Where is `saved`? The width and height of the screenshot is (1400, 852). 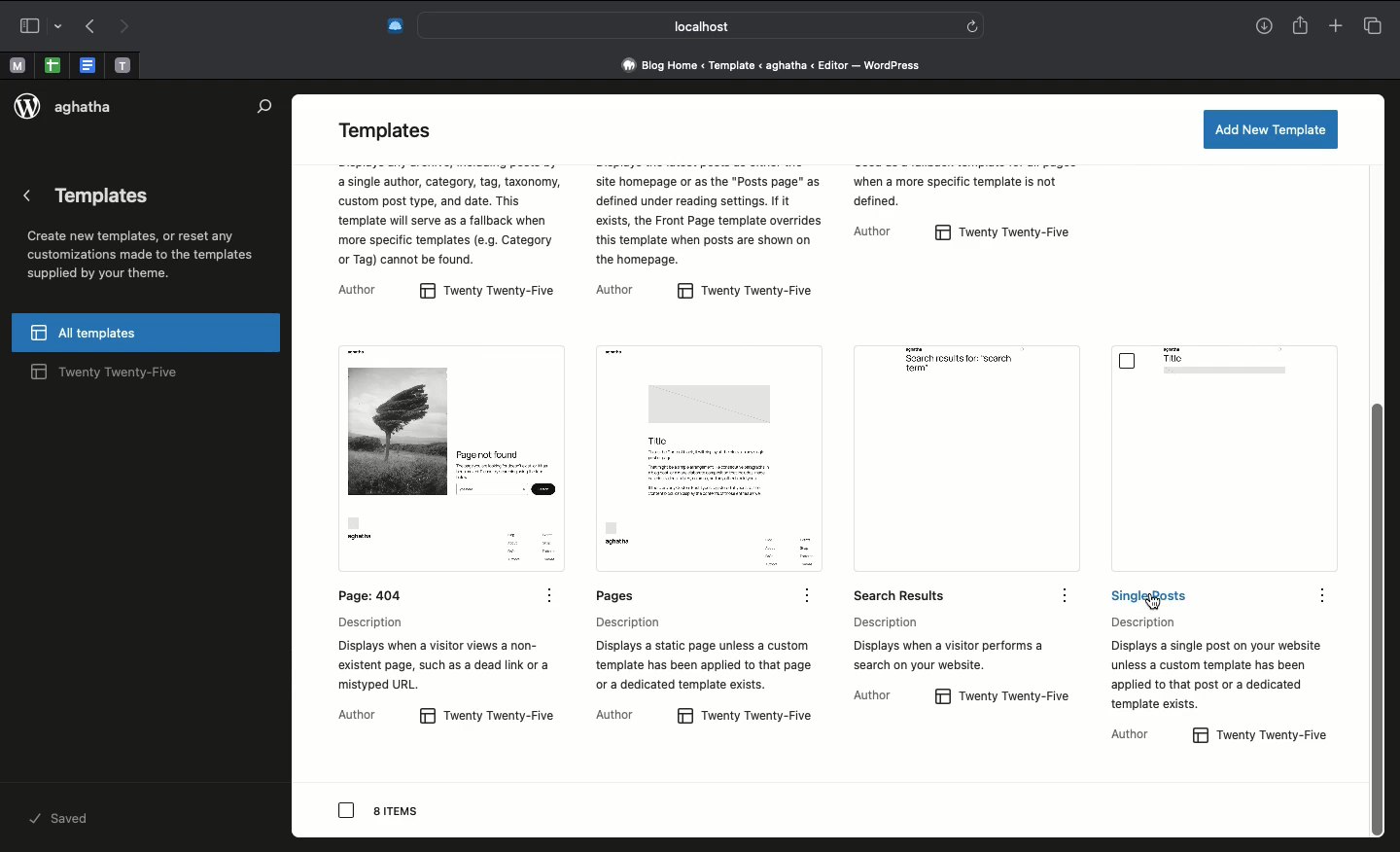
saved is located at coordinates (69, 817).